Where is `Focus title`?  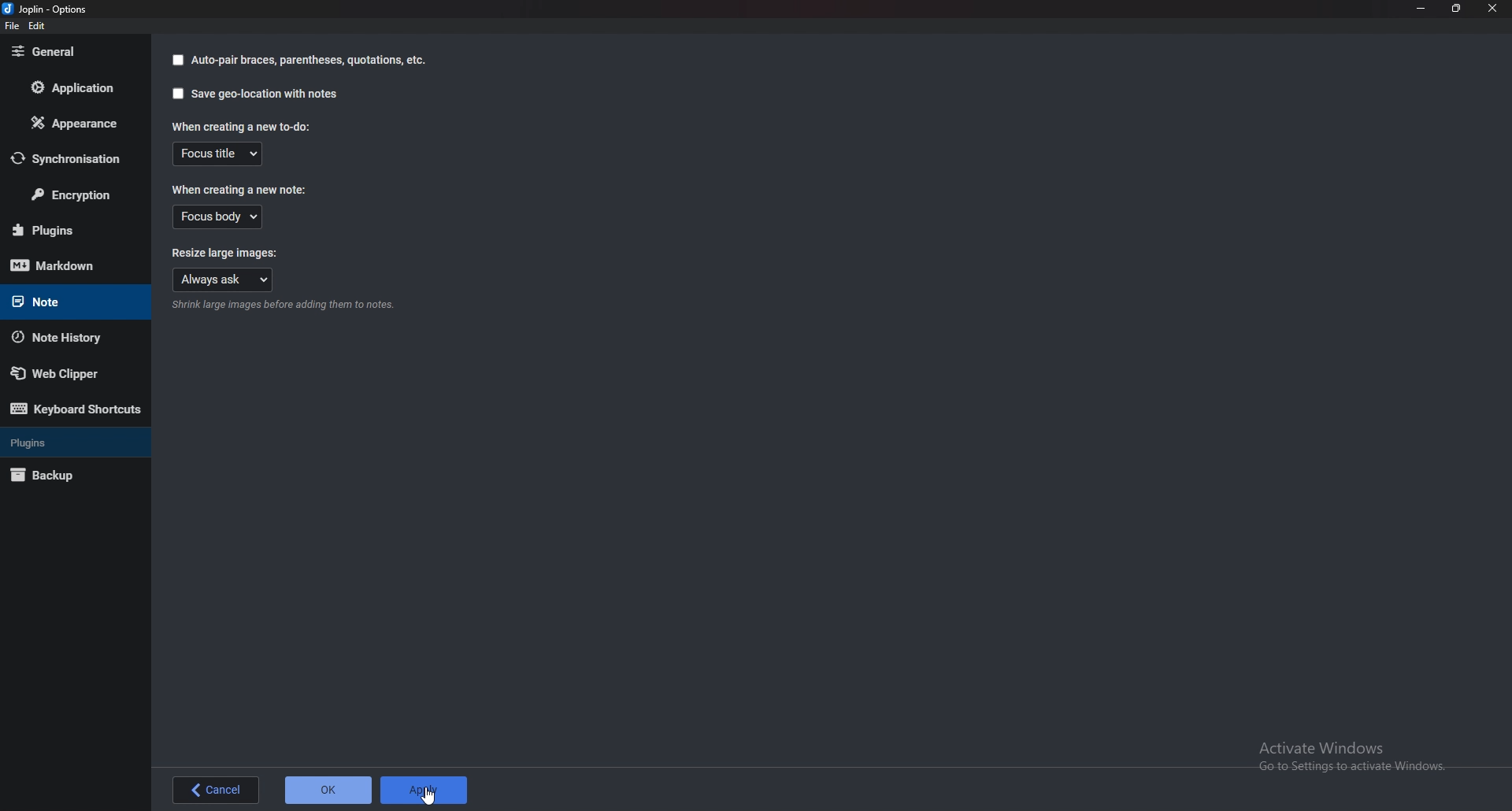
Focus title is located at coordinates (220, 154).